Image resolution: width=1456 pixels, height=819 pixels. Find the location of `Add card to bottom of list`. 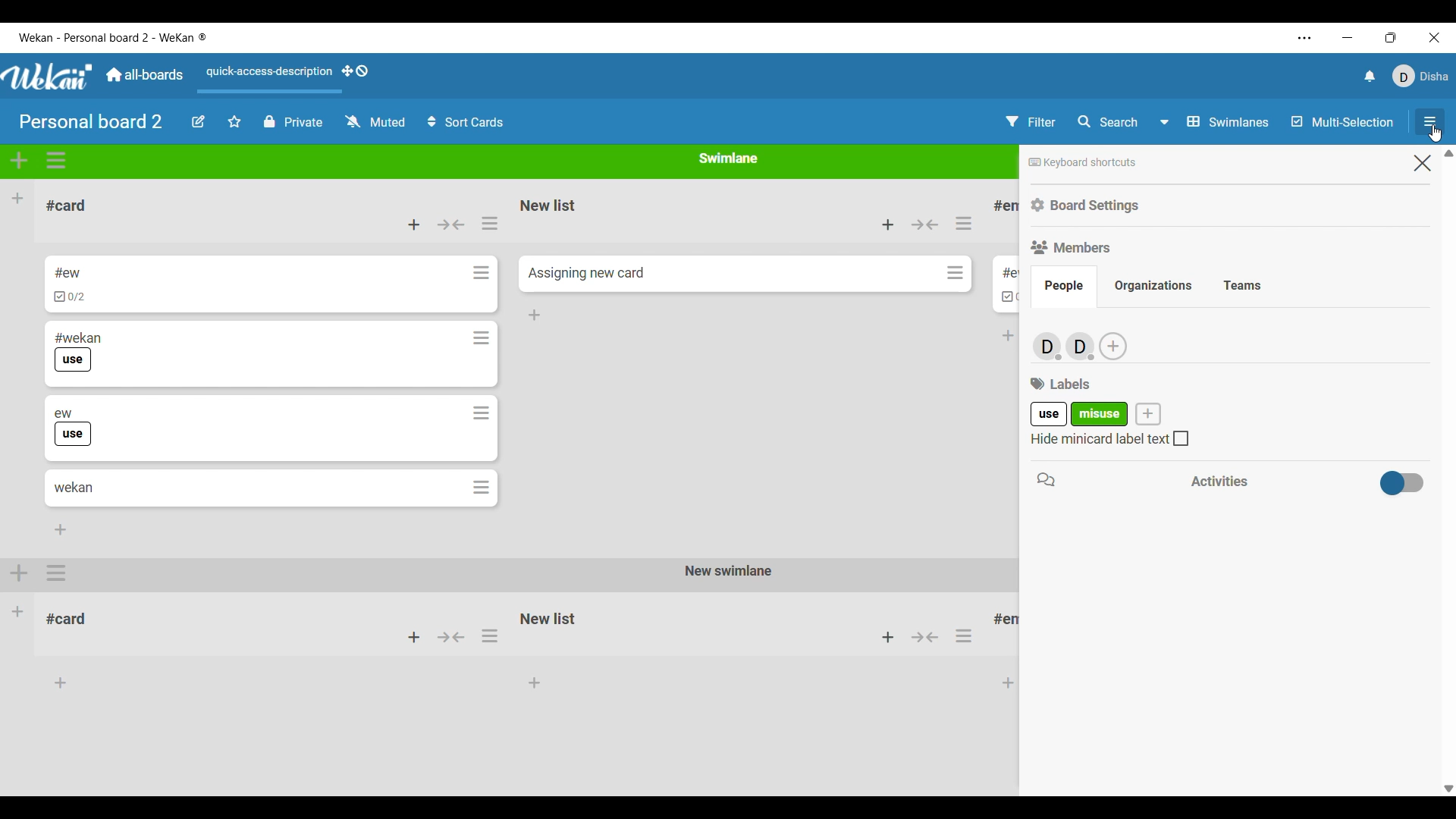

Add card to bottom of list is located at coordinates (535, 315).